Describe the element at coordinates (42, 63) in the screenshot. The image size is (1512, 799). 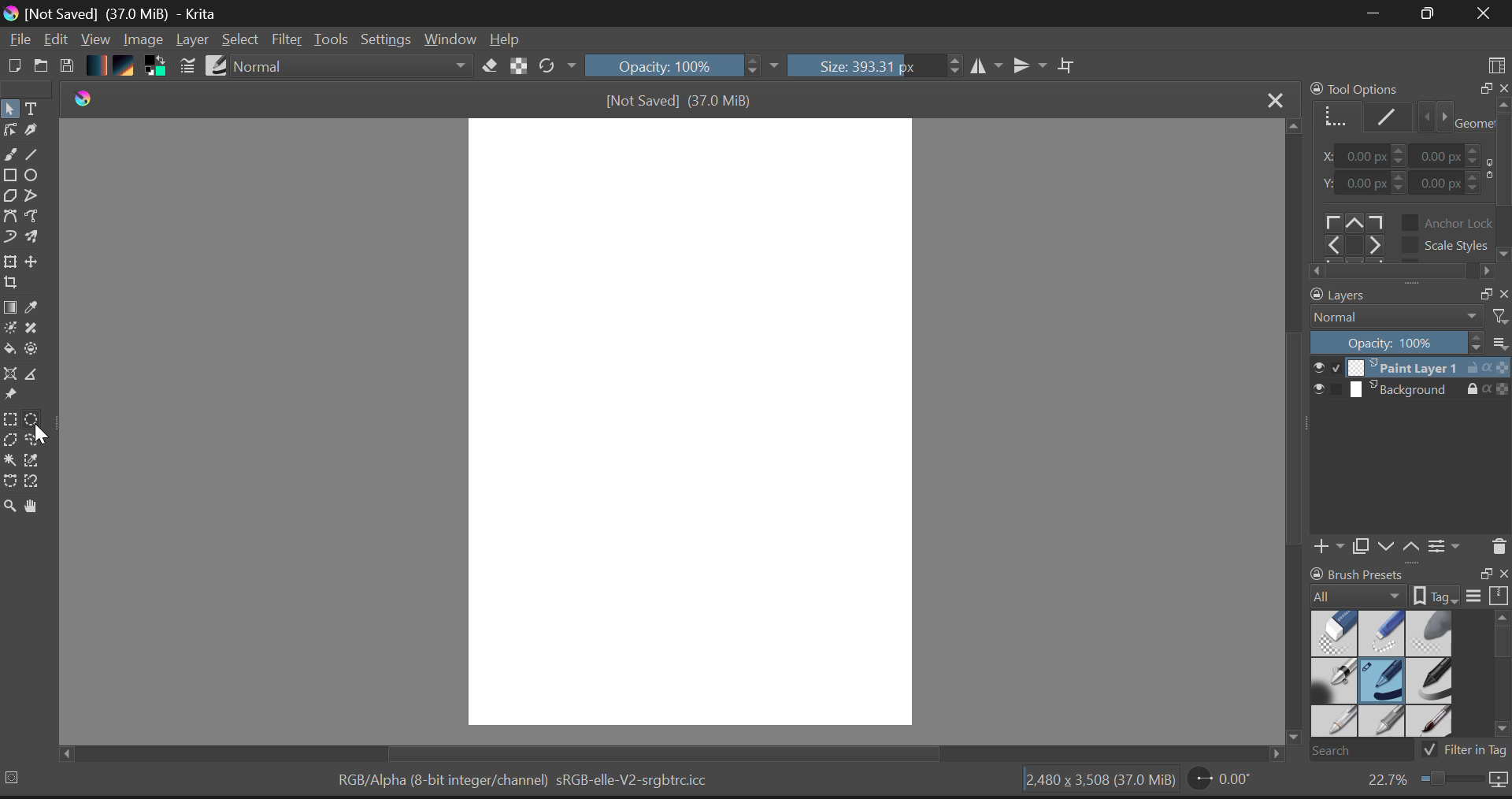
I see `Open` at that location.